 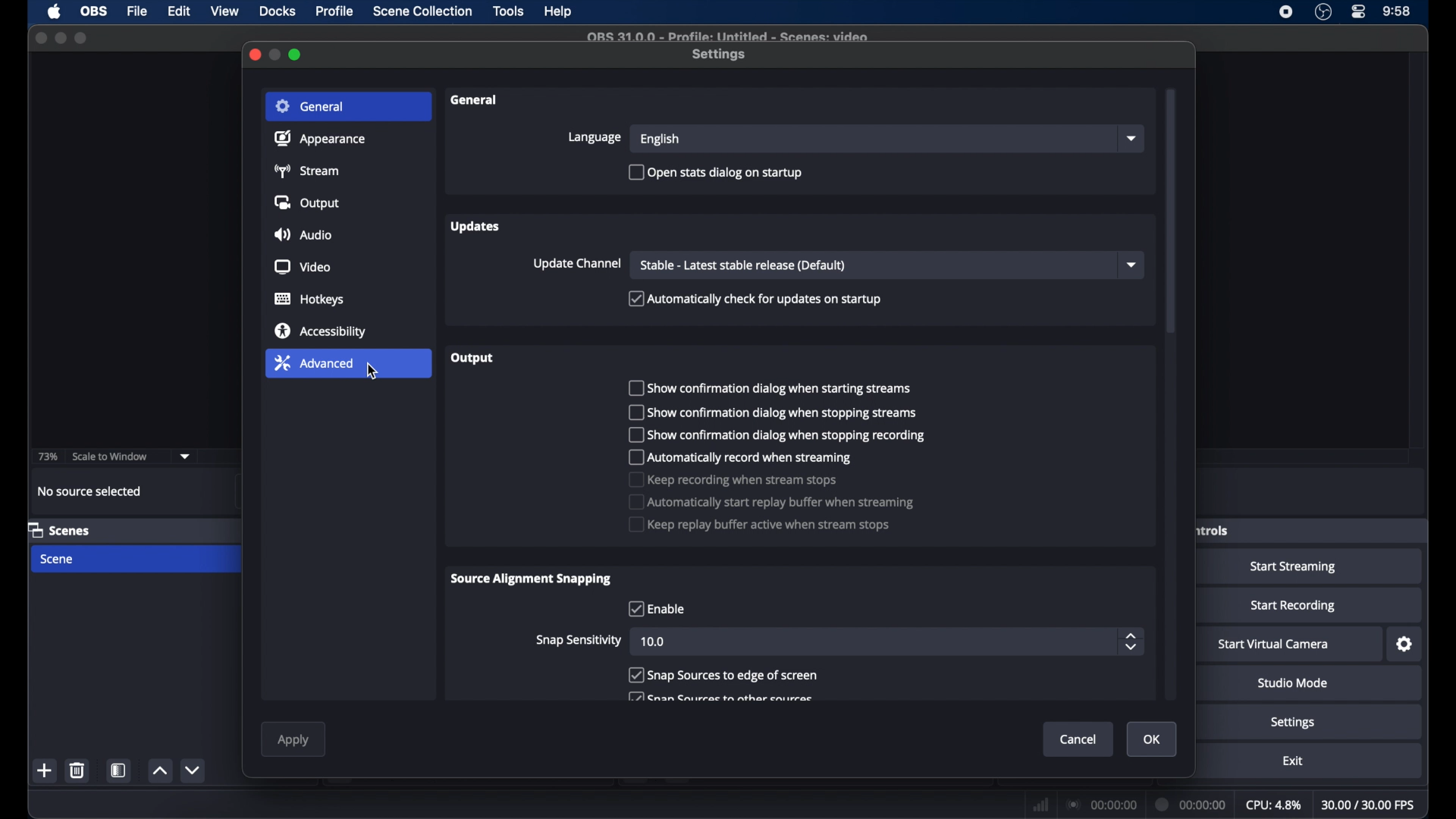 I want to click on file, so click(x=137, y=10).